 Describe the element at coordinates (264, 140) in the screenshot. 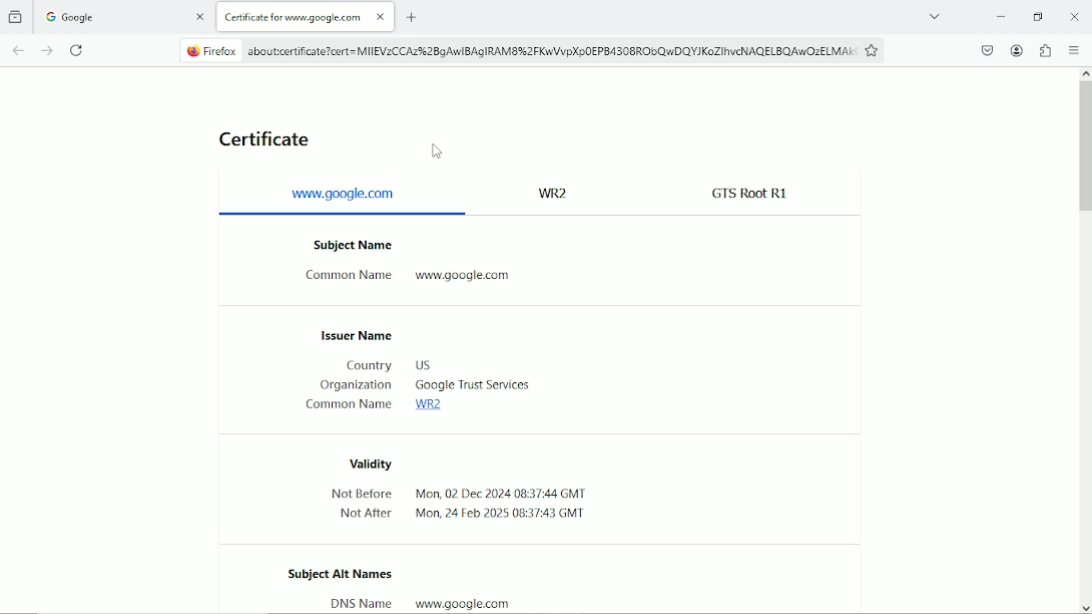

I see `Certificate` at that location.